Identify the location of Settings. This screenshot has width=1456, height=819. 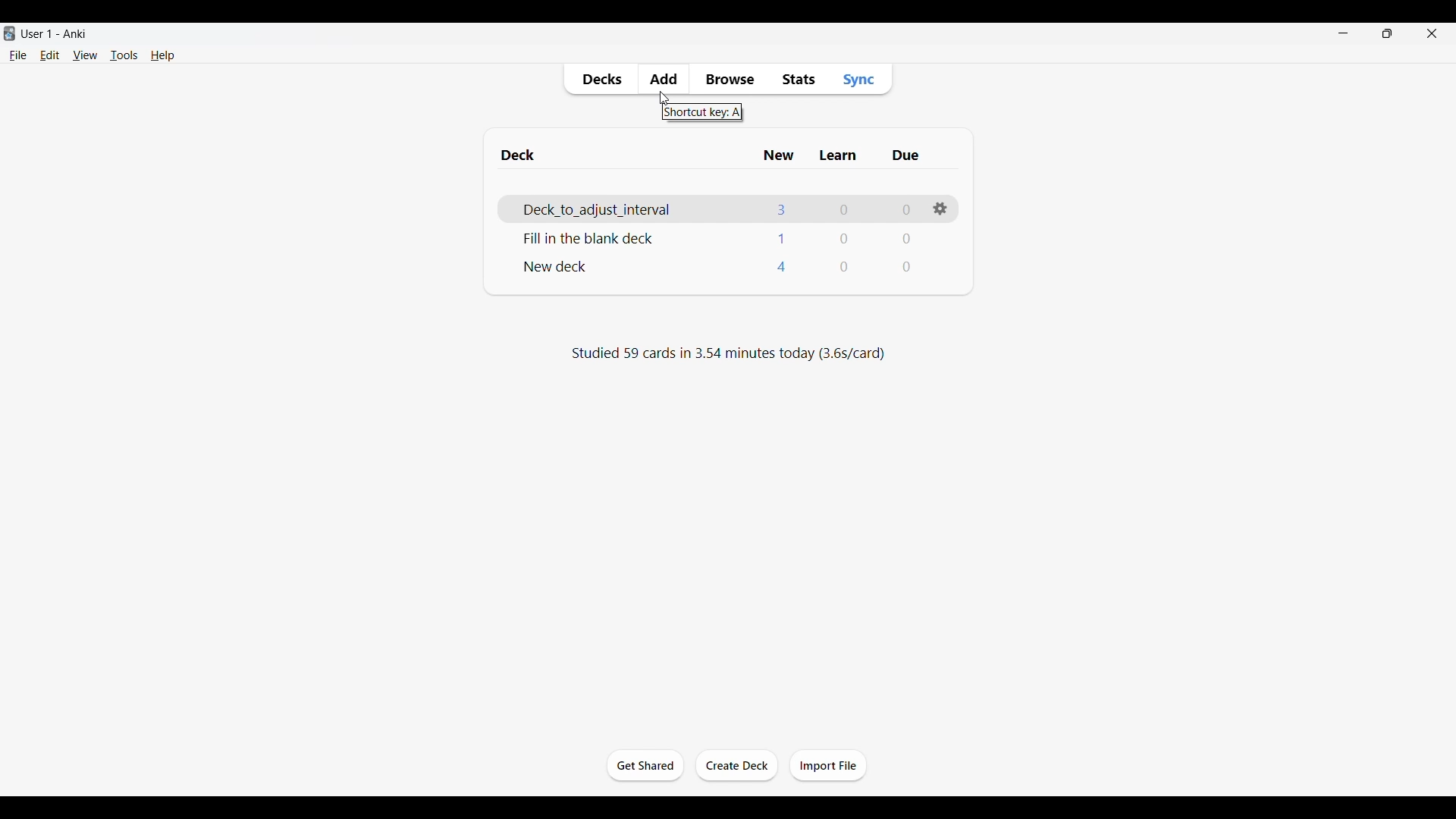
(940, 209).